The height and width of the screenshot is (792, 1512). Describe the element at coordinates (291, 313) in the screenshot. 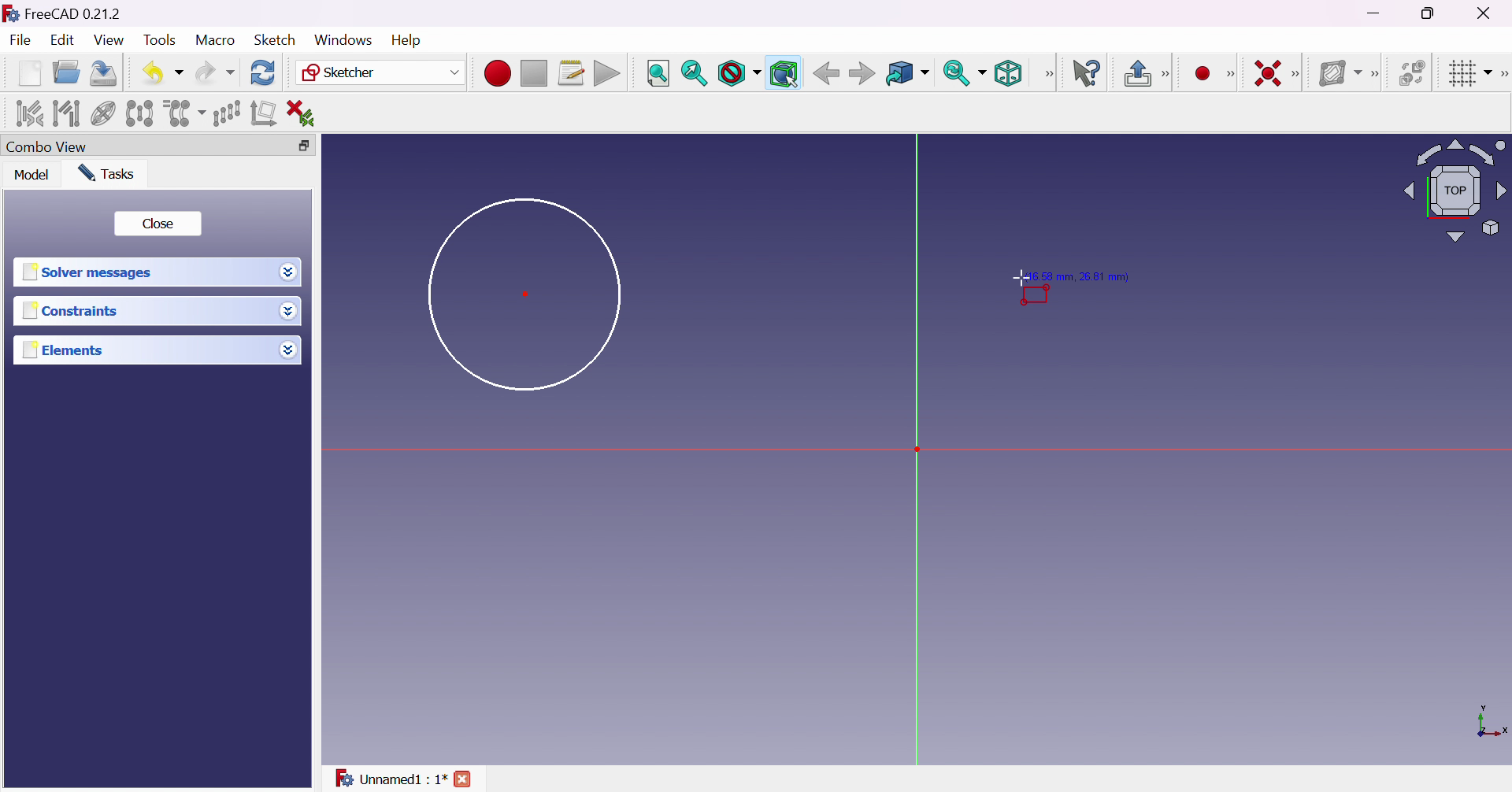

I see `Drop` at that location.